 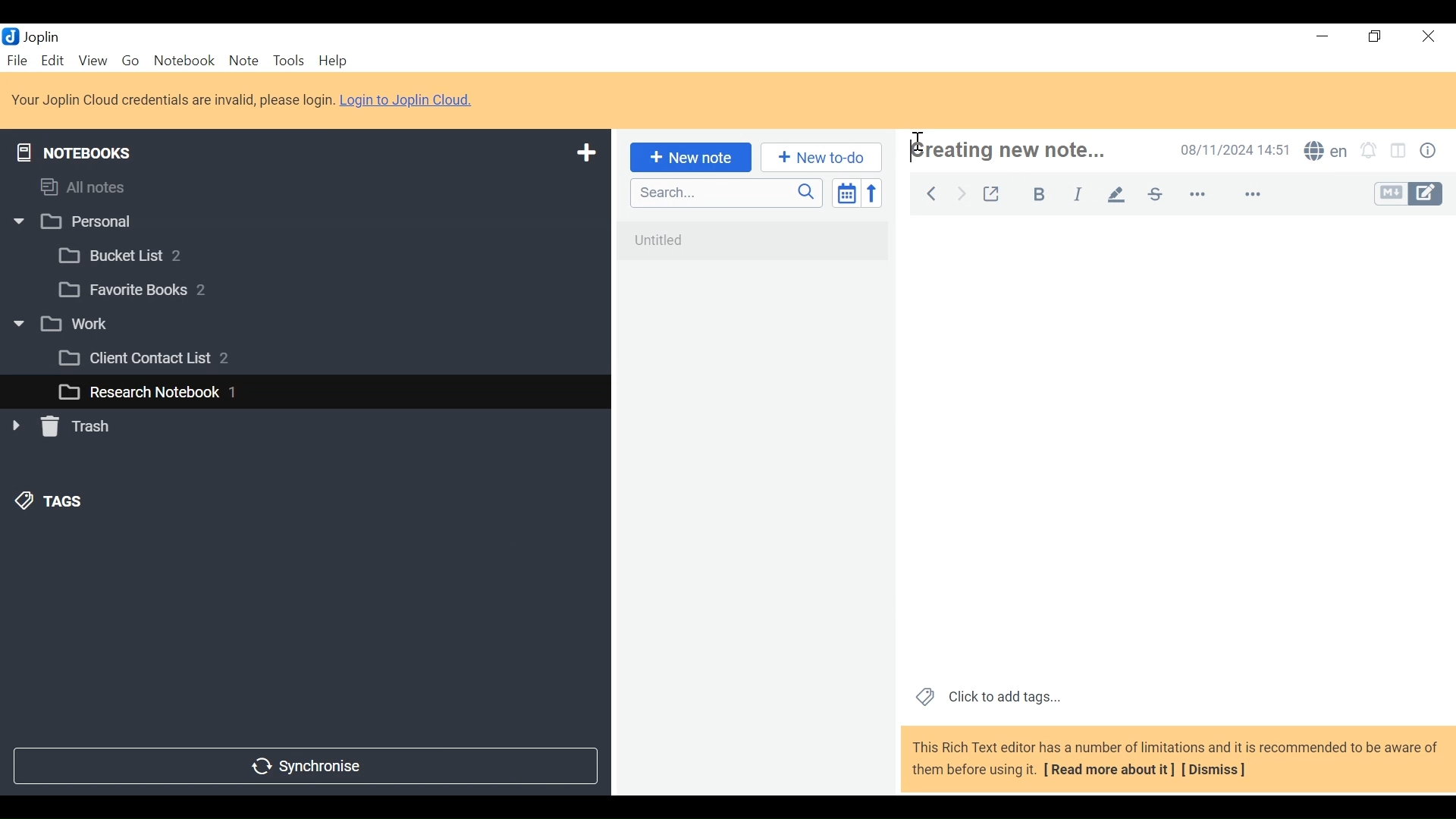 I want to click on Toggle sort order field, so click(x=845, y=192).